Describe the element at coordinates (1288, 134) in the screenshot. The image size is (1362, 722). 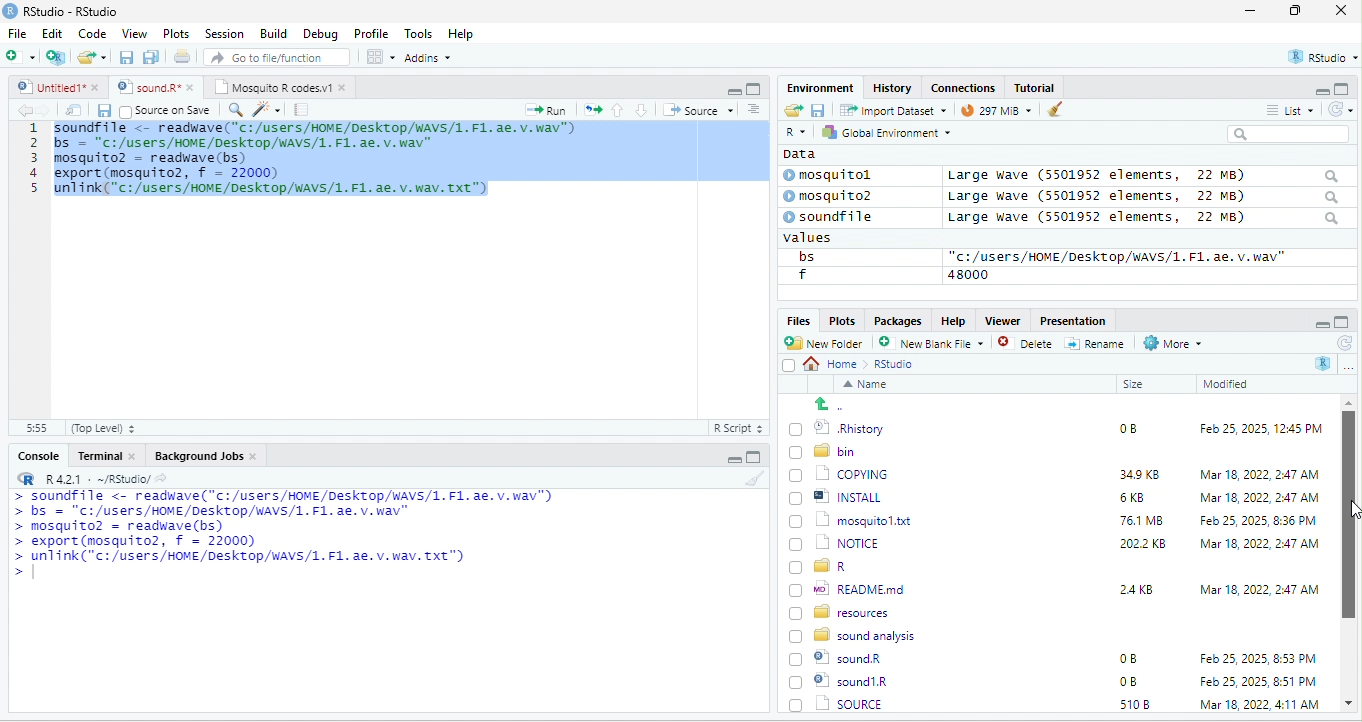
I see `search` at that location.